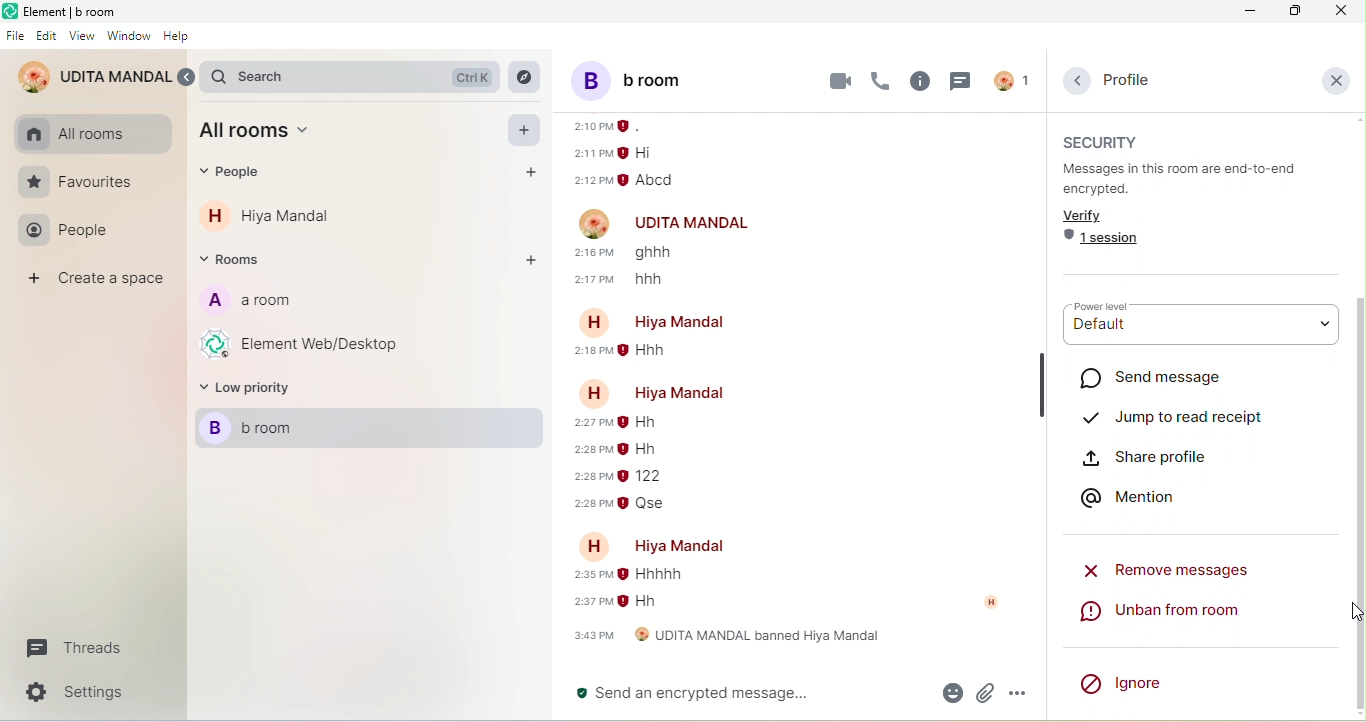 Image resolution: width=1366 pixels, height=722 pixels. Describe the element at coordinates (189, 78) in the screenshot. I see `expand` at that location.